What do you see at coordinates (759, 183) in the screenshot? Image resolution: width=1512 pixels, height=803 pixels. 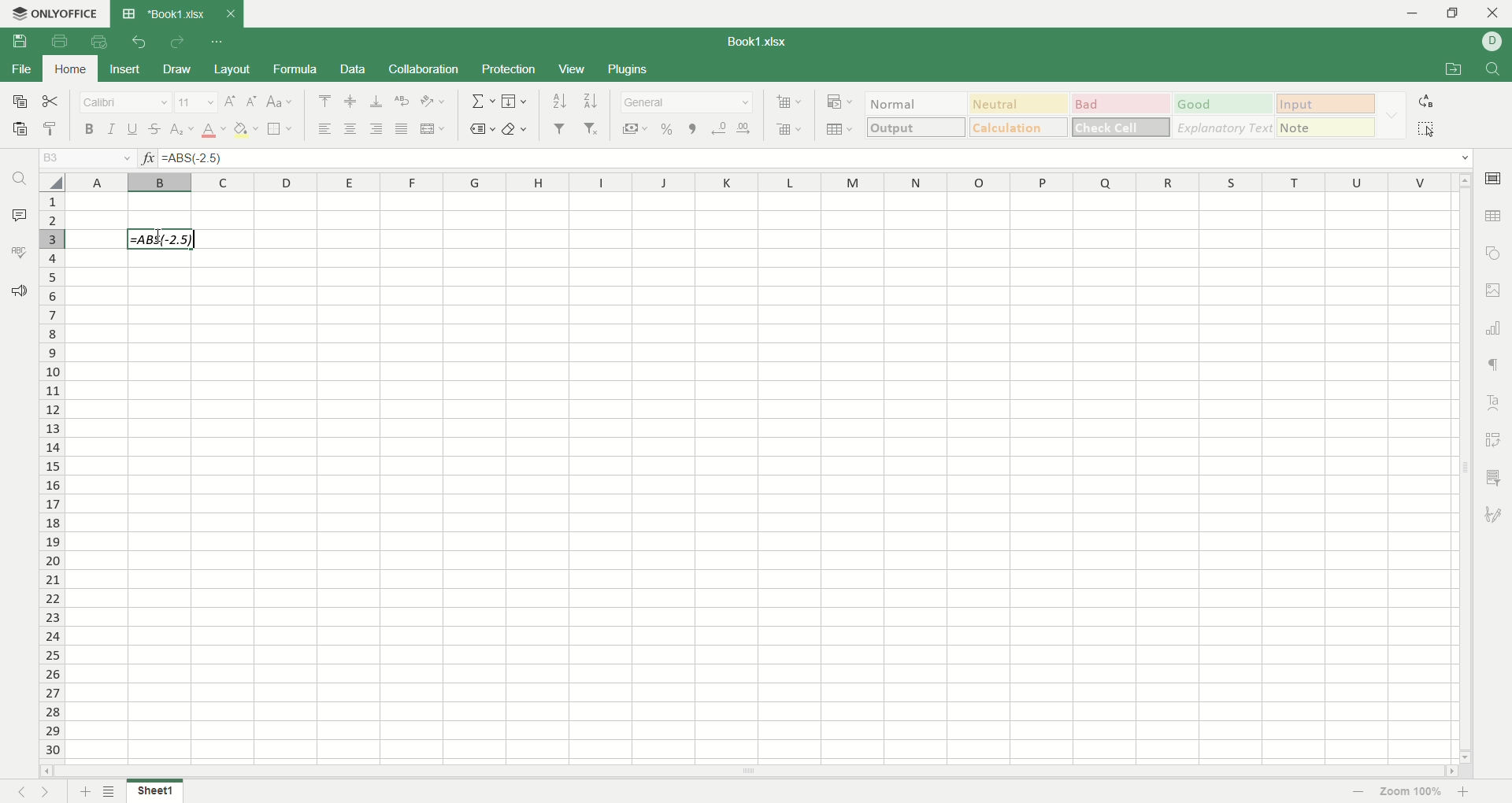 I see `column name` at bounding box center [759, 183].